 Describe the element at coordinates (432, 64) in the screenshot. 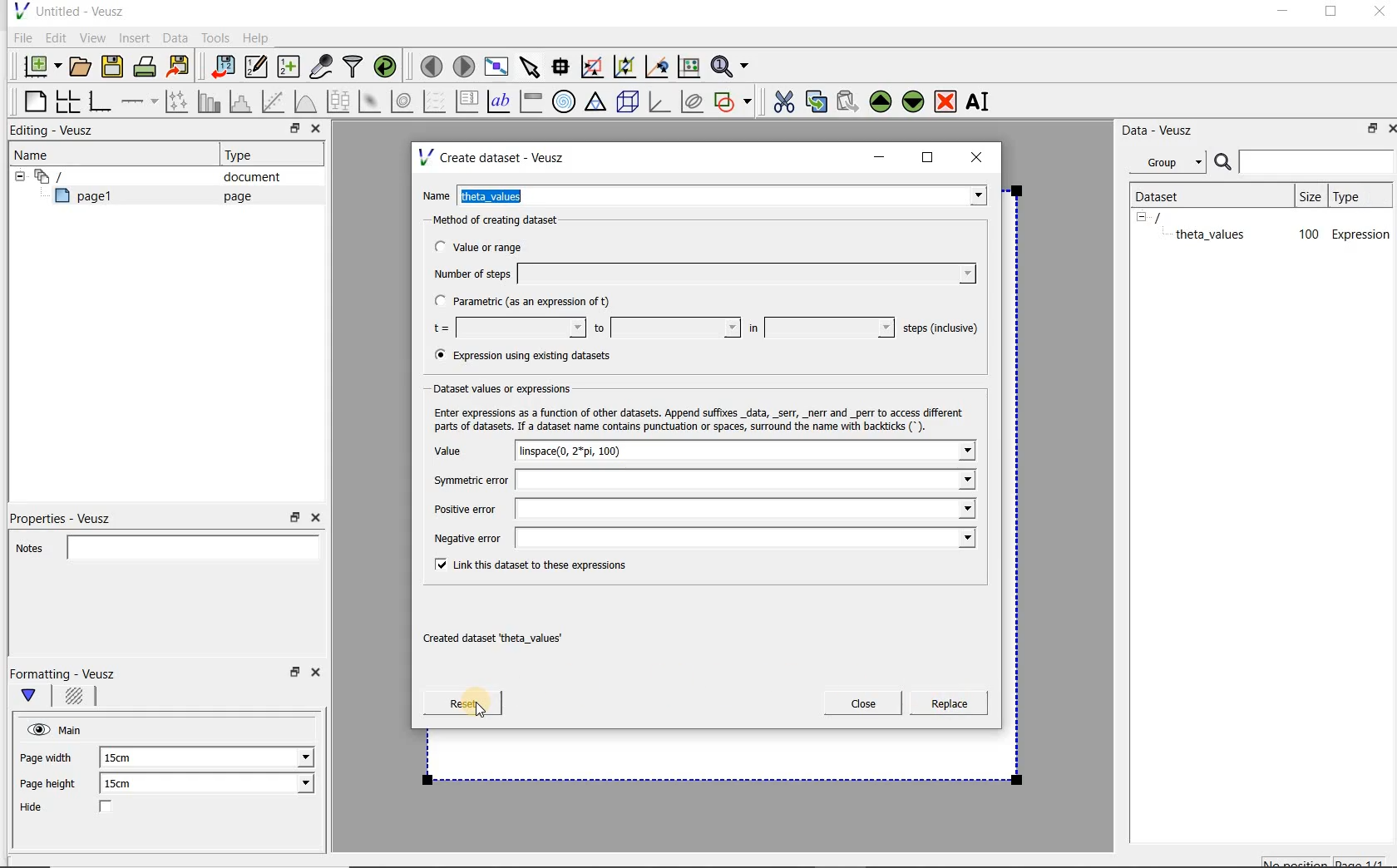

I see `move to the previous page` at that location.